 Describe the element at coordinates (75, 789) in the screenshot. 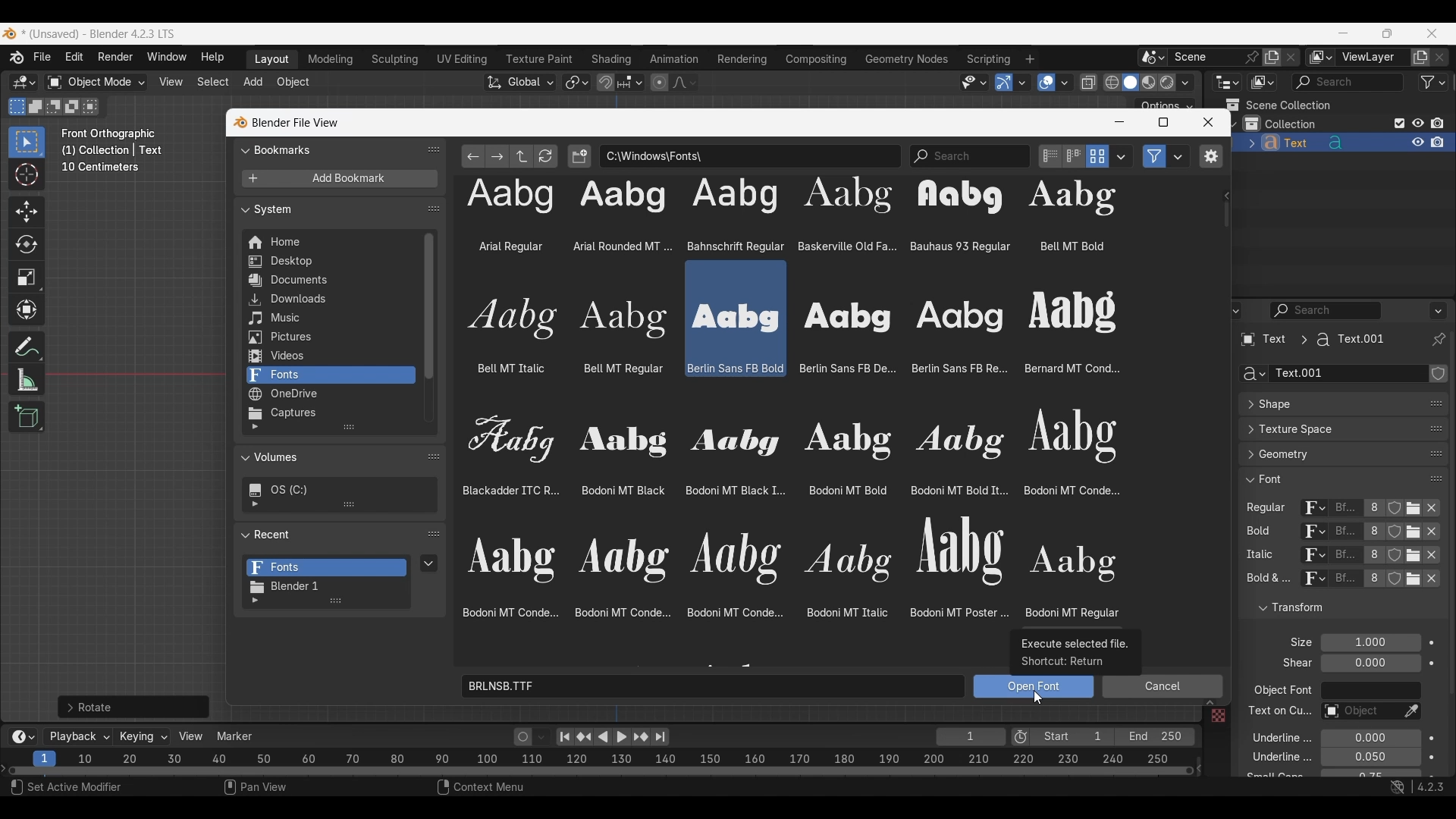

I see `Select` at that location.